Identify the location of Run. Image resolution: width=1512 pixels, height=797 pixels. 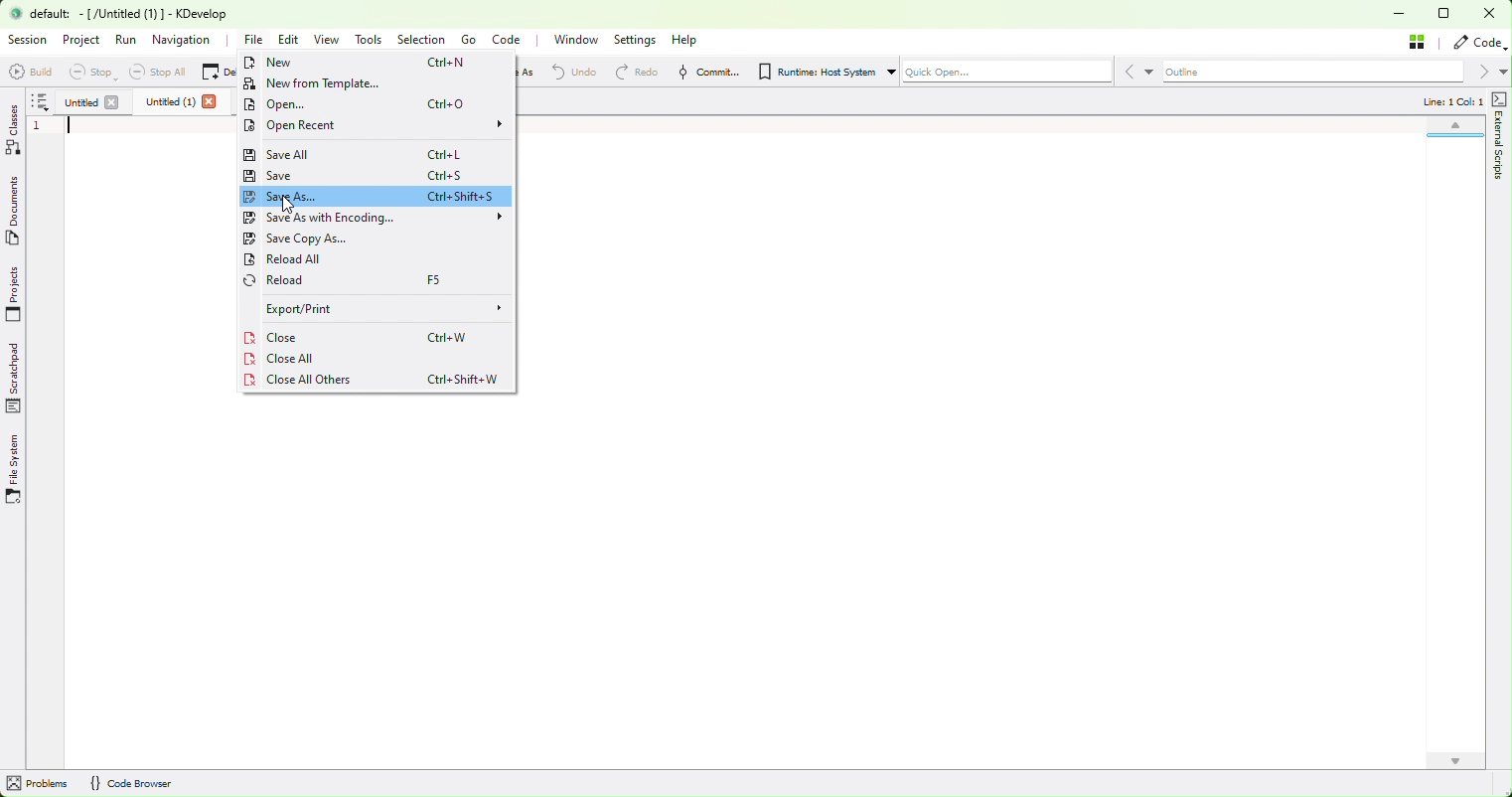
(129, 40).